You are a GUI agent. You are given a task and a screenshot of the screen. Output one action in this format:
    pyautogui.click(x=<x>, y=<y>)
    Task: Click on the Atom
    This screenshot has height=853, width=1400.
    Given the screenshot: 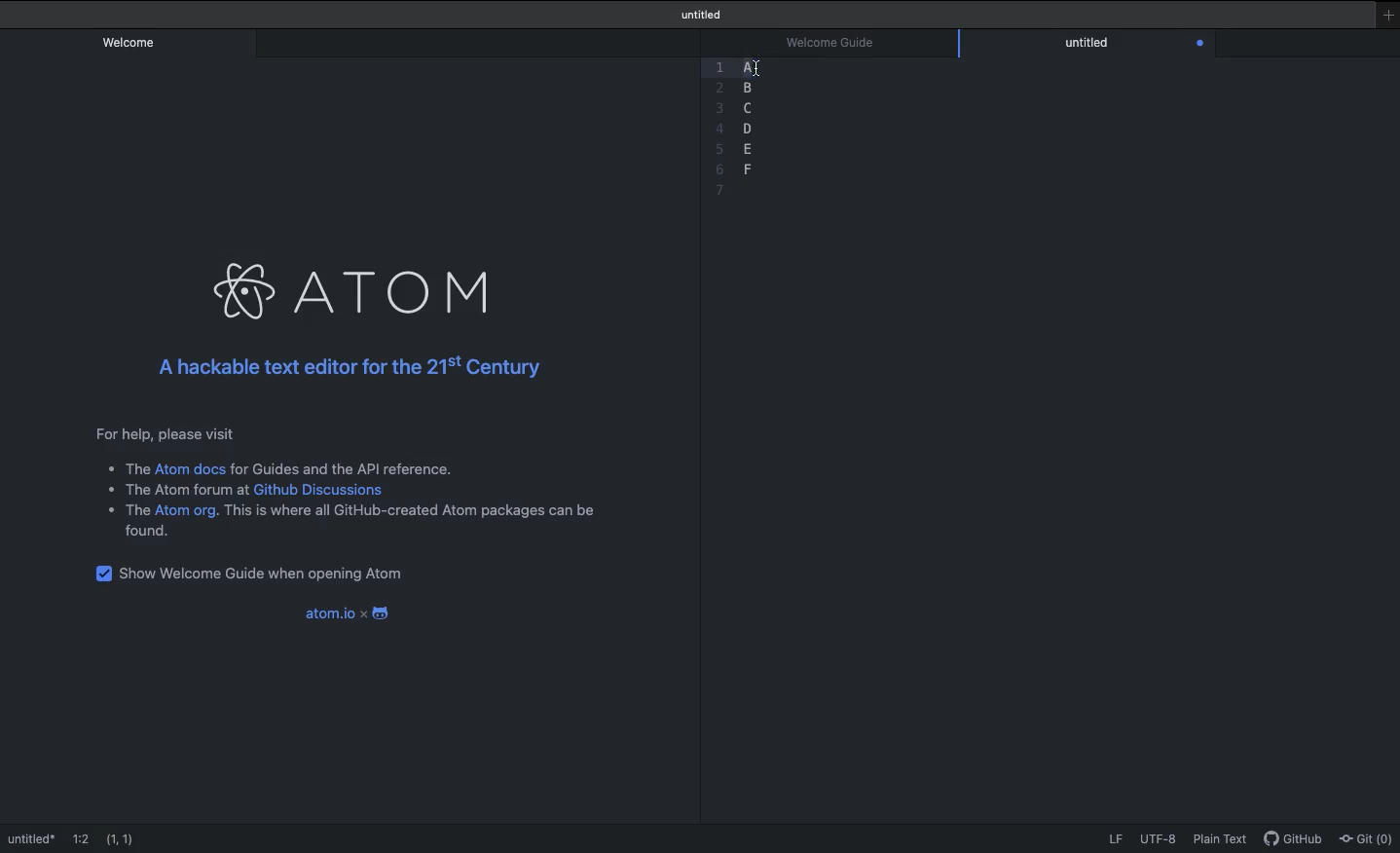 What is the action you would take?
    pyautogui.click(x=360, y=284)
    